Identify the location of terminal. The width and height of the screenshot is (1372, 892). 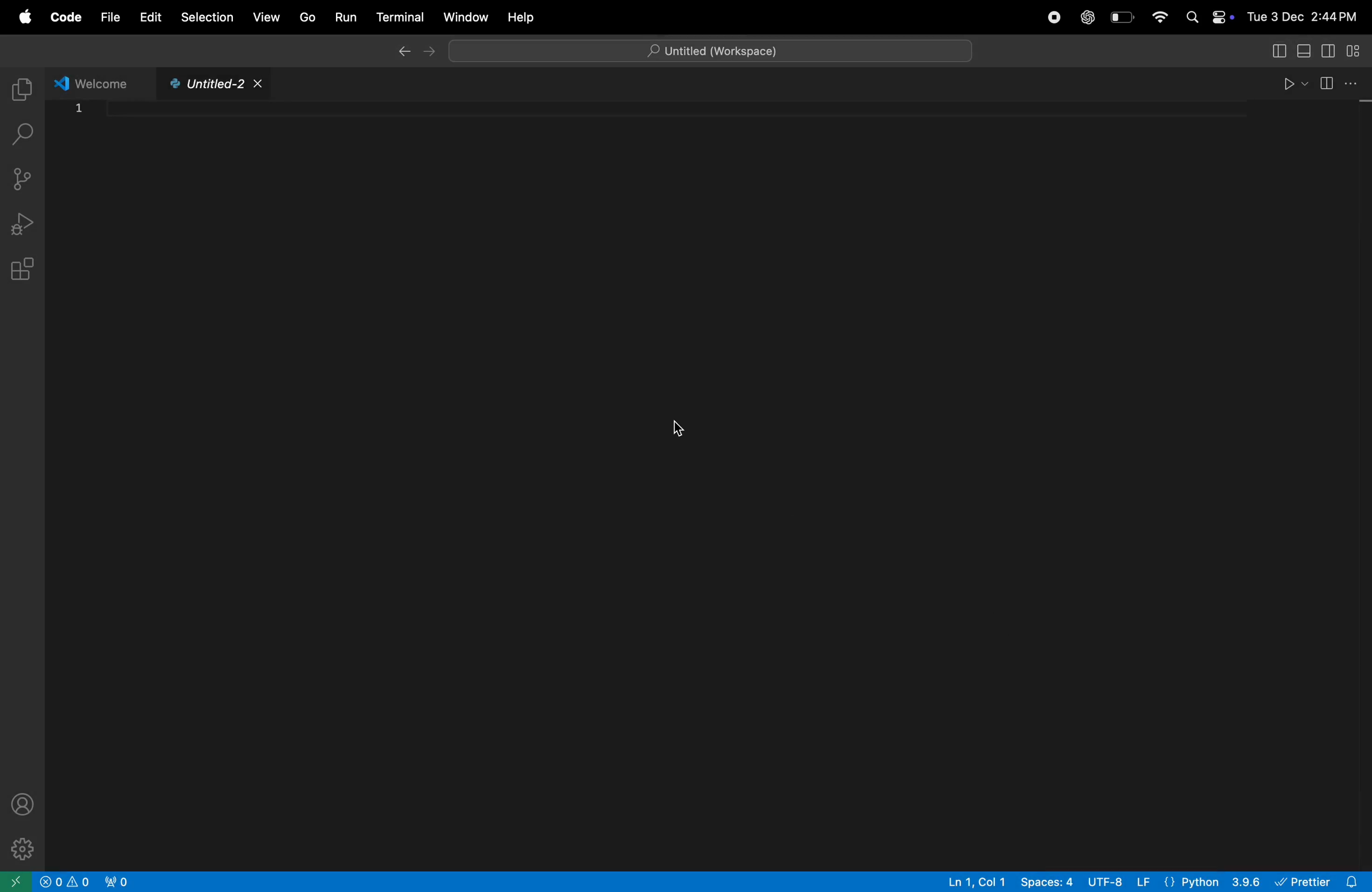
(397, 16).